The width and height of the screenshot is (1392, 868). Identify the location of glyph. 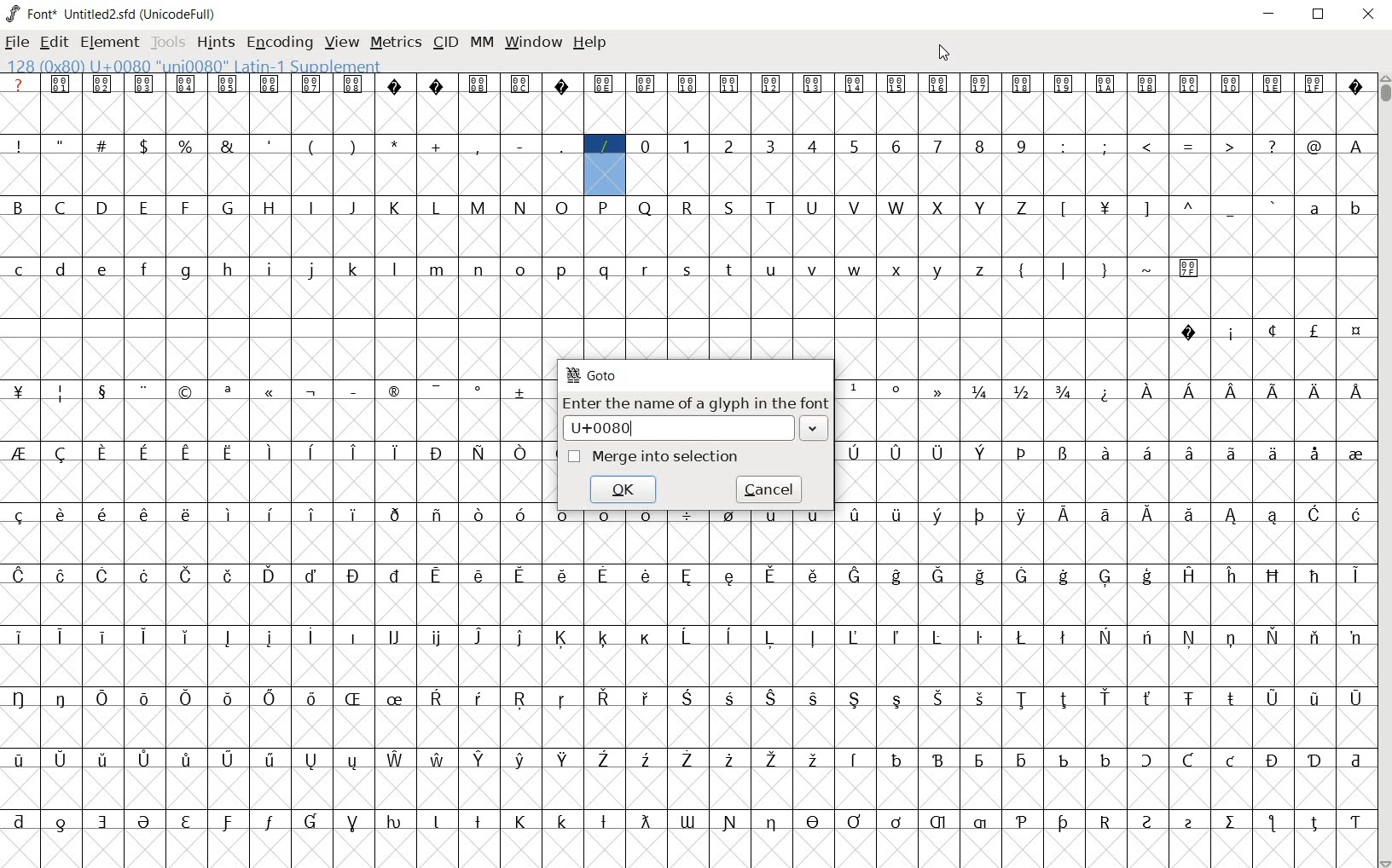
(105, 270).